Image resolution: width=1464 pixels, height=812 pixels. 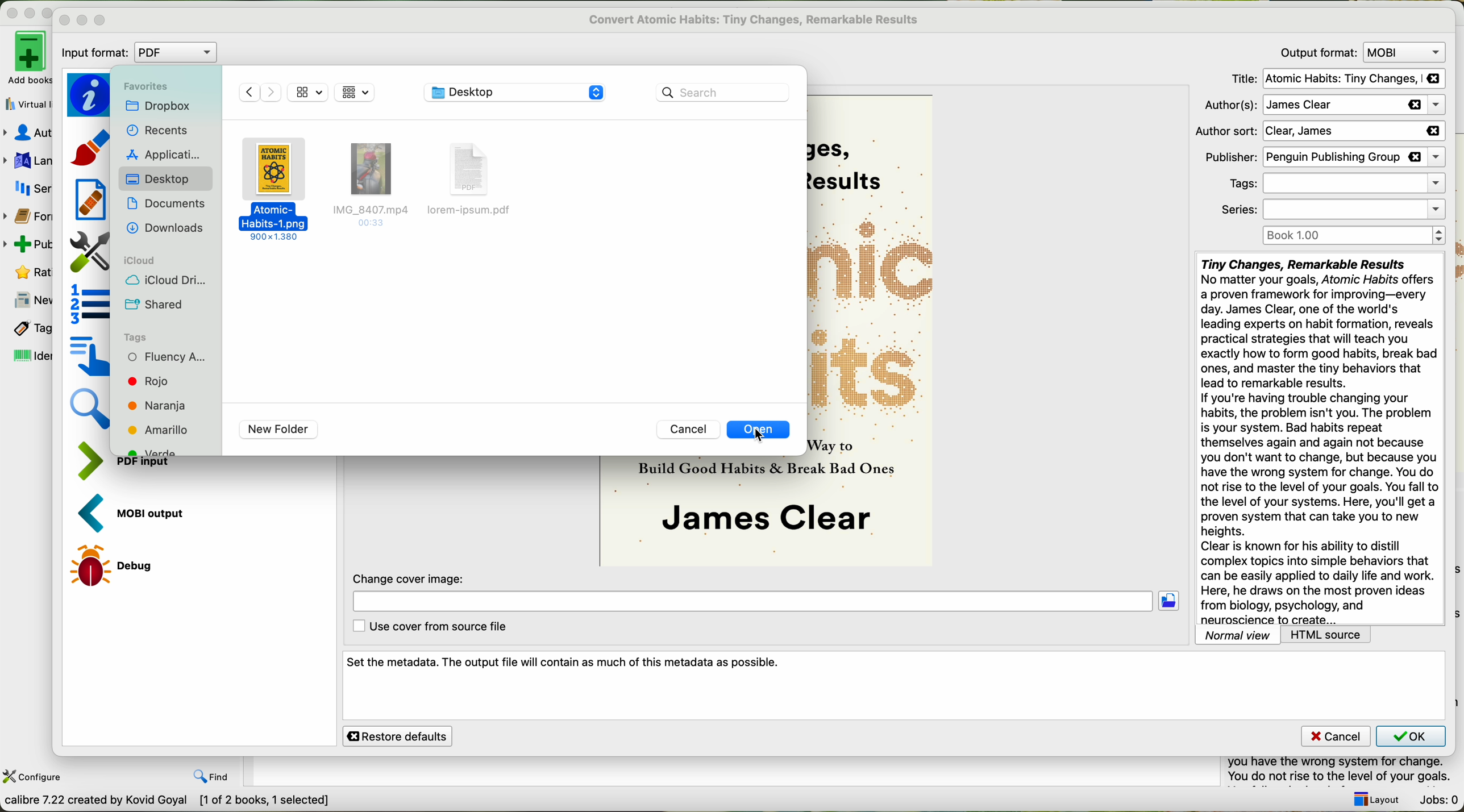 What do you see at coordinates (398, 736) in the screenshot?
I see `restore defaults` at bounding box center [398, 736].